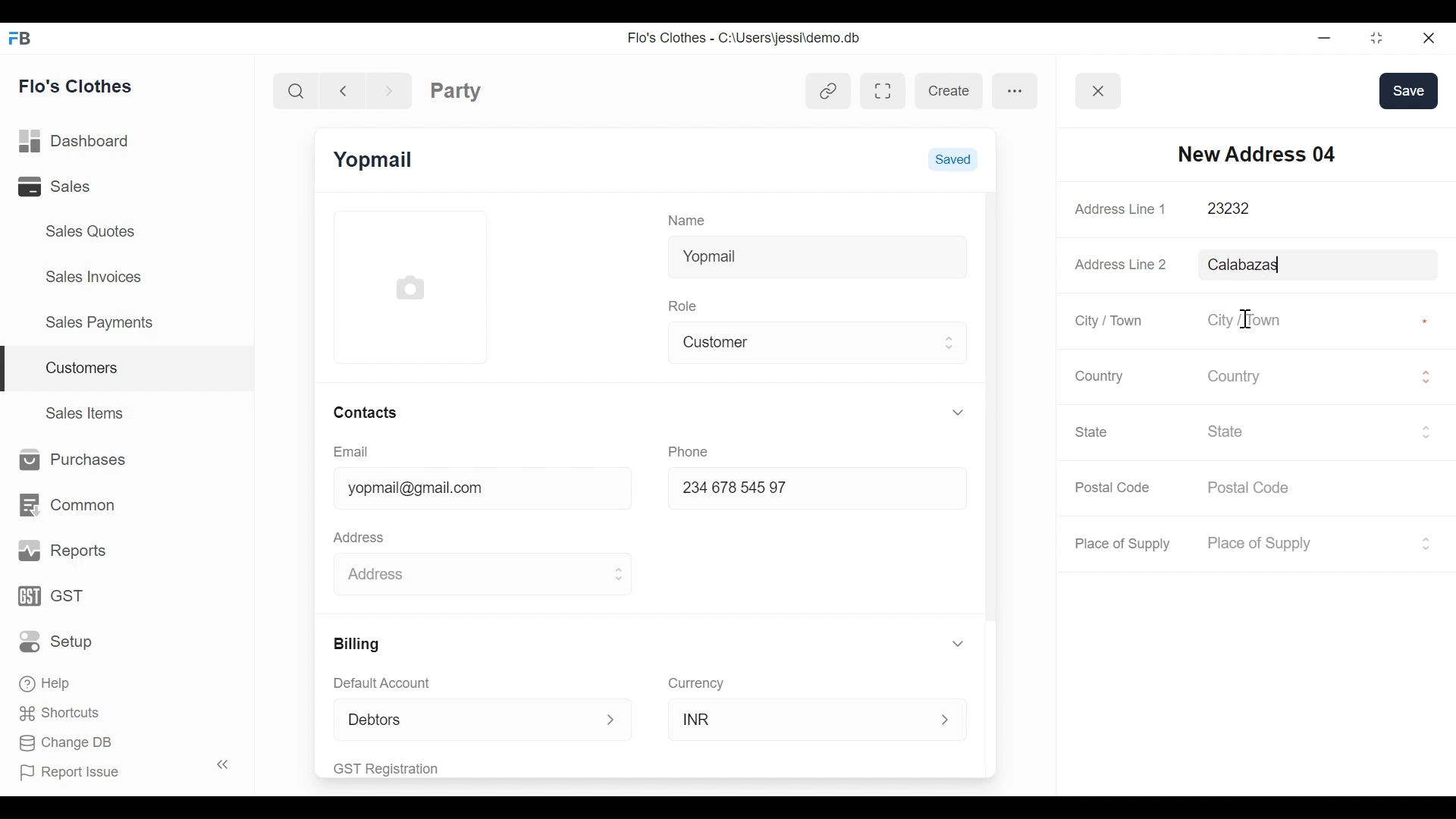 This screenshot has width=1456, height=819. What do you see at coordinates (1258, 488) in the screenshot?
I see `Postal Code` at bounding box center [1258, 488].